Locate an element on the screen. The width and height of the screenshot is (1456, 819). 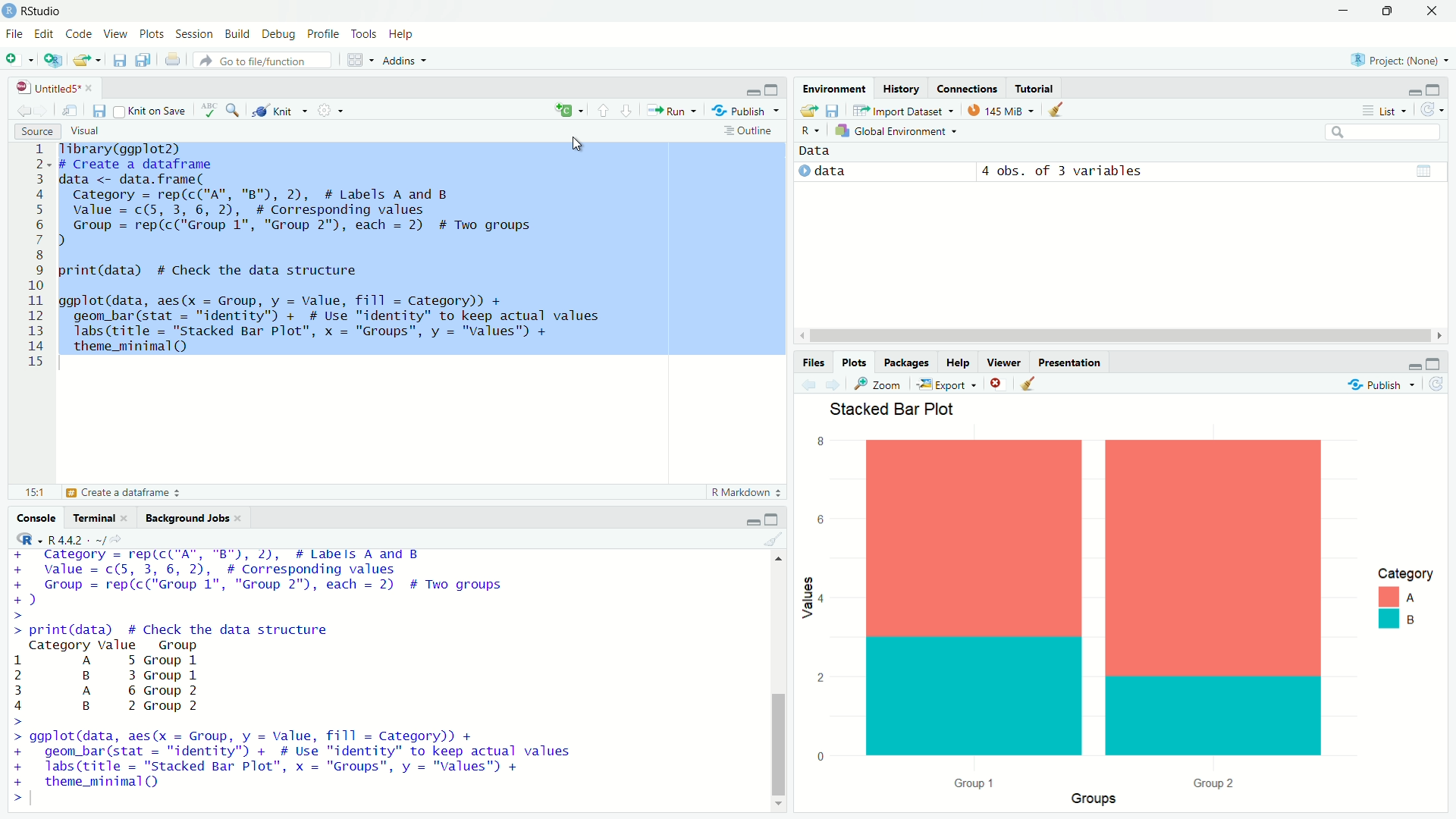
Clear console (Ctrl + L) is located at coordinates (1057, 108).